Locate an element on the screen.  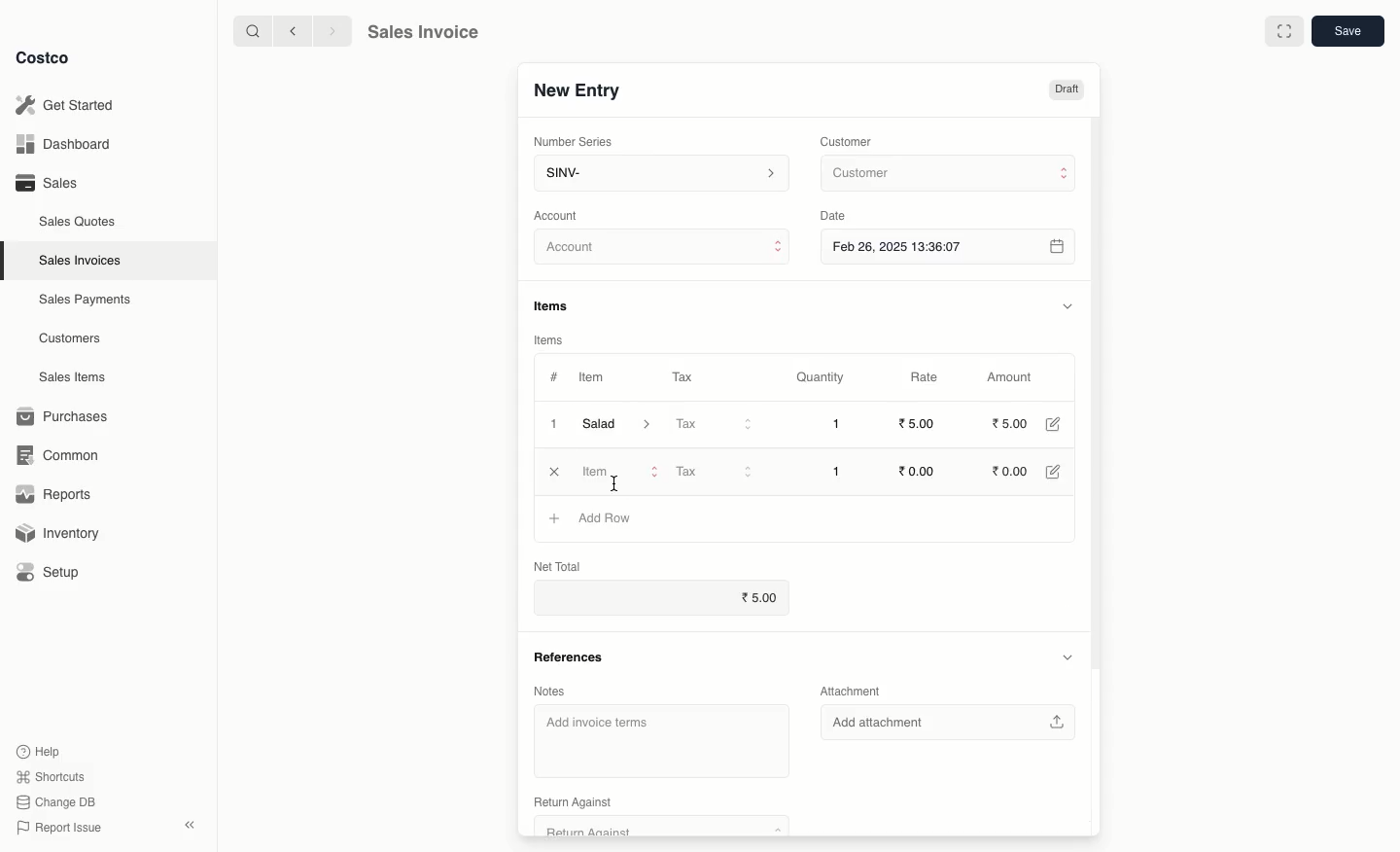
1 is located at coordinates (552, 423).